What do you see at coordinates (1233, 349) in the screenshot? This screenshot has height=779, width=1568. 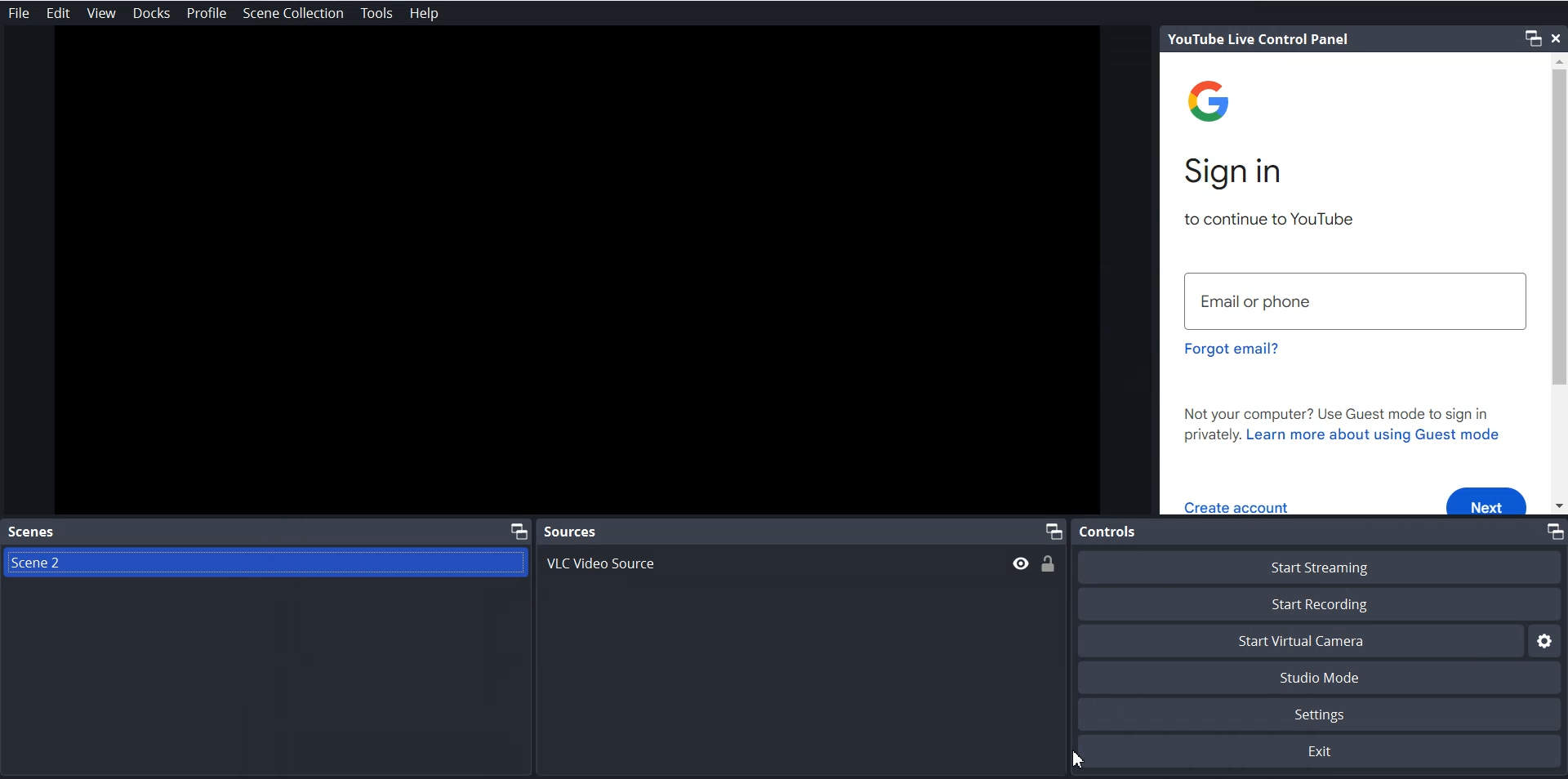 I see `Forgot emails` at bounding box center [1233, 349].